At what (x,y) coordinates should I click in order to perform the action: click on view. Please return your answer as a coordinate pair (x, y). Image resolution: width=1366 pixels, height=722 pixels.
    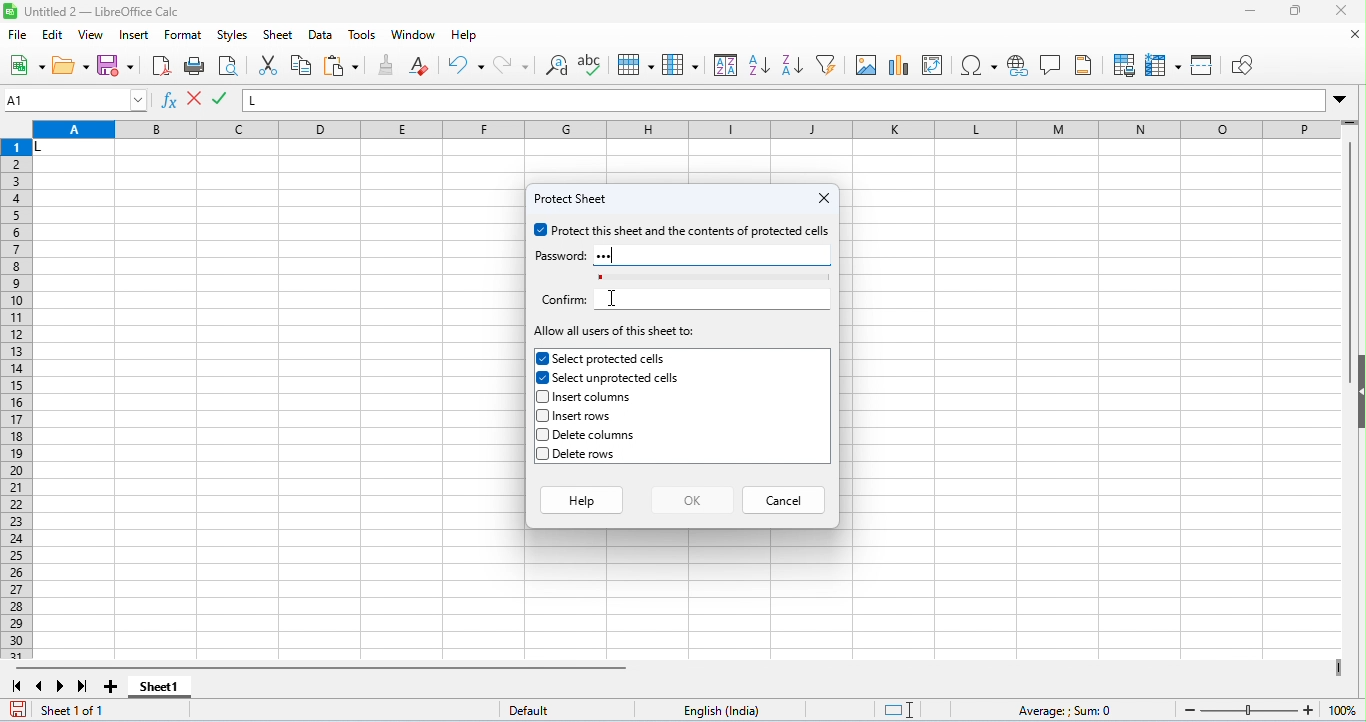
    Looking at the image, I should click on (92, 35).